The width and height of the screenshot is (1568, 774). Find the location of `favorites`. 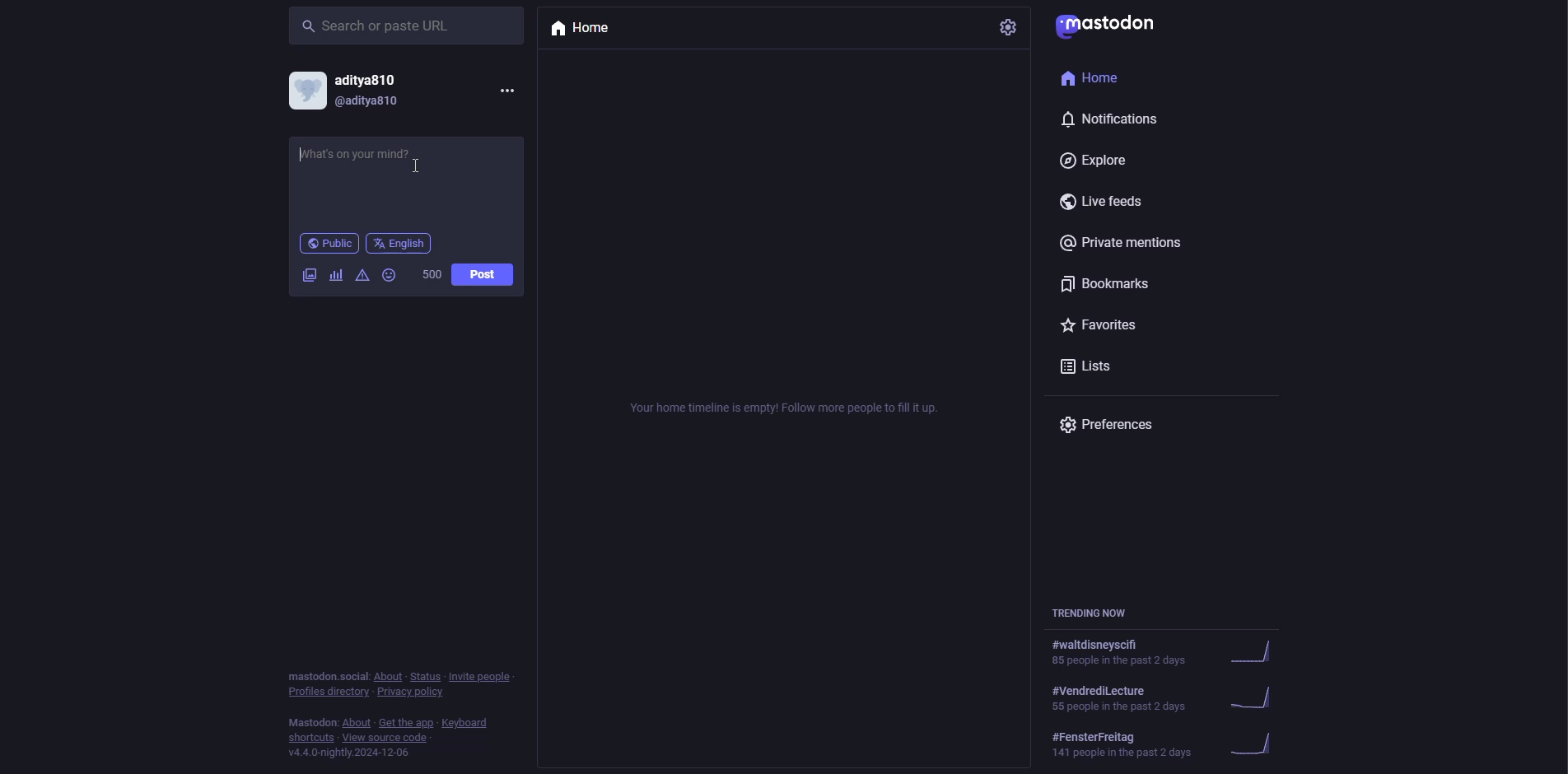

favorites is located at coordinates (1102, 325).